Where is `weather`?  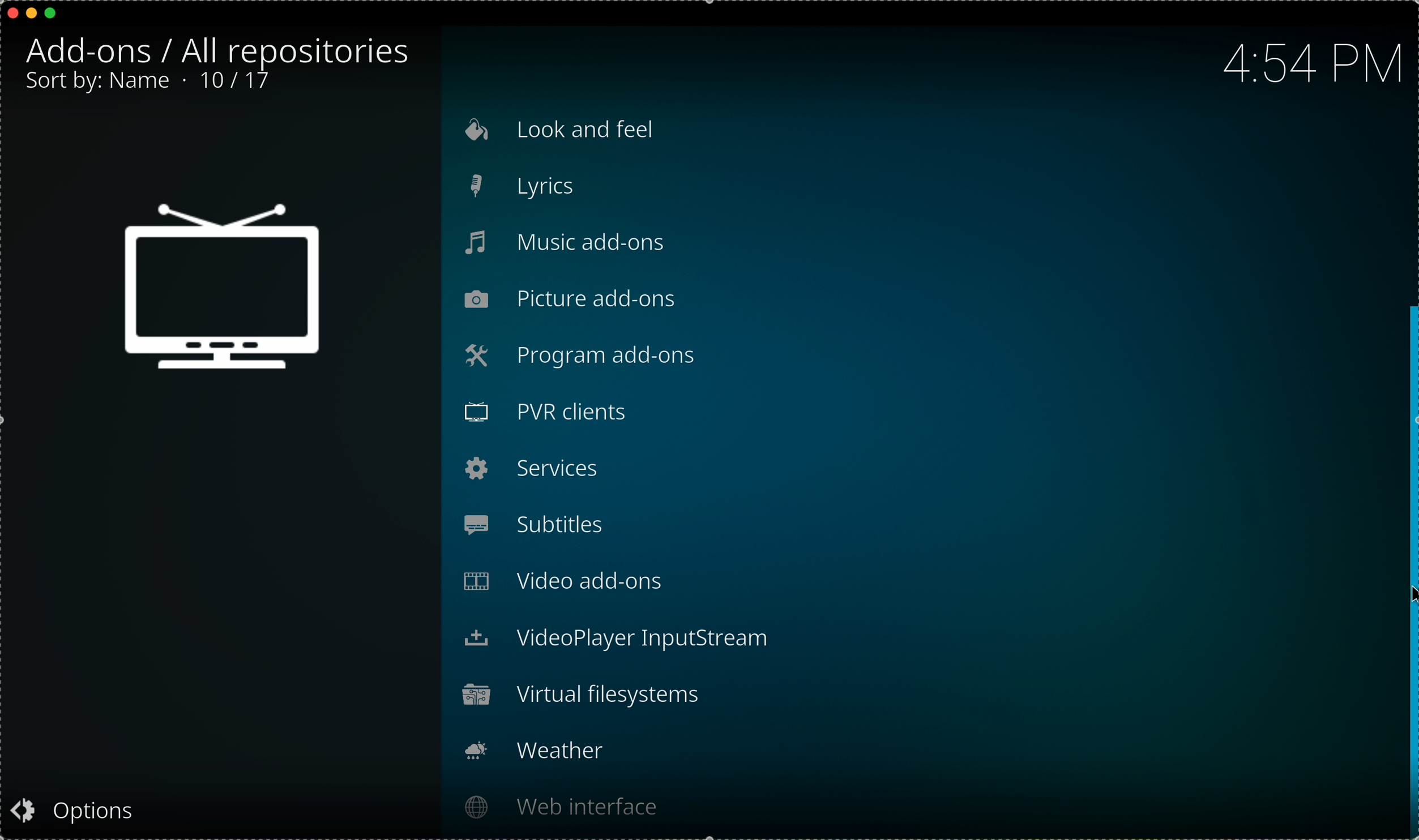 weather is located at coordinates (542, 751).